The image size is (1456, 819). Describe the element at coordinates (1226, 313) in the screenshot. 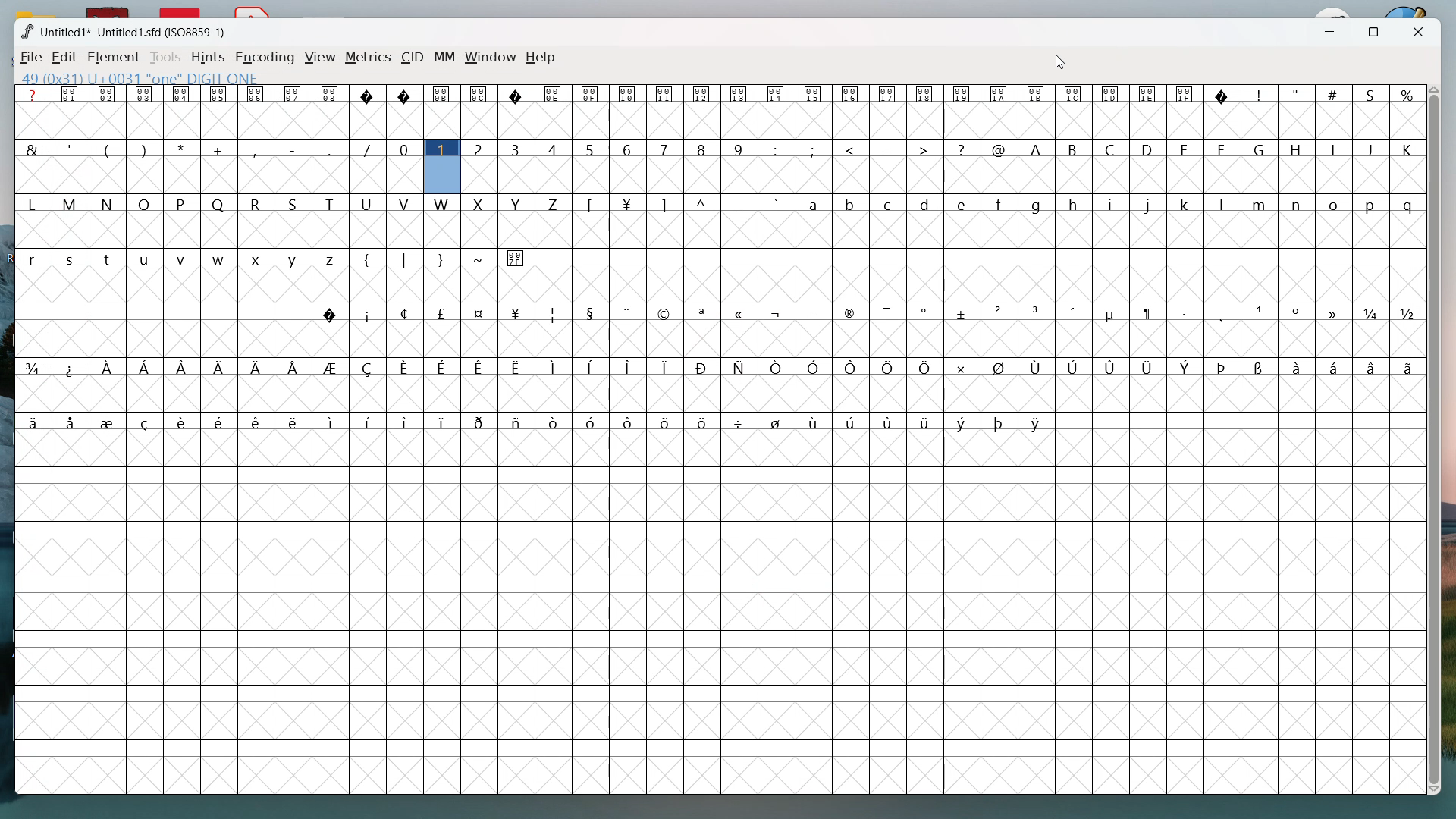

I see `symbol` at that location.